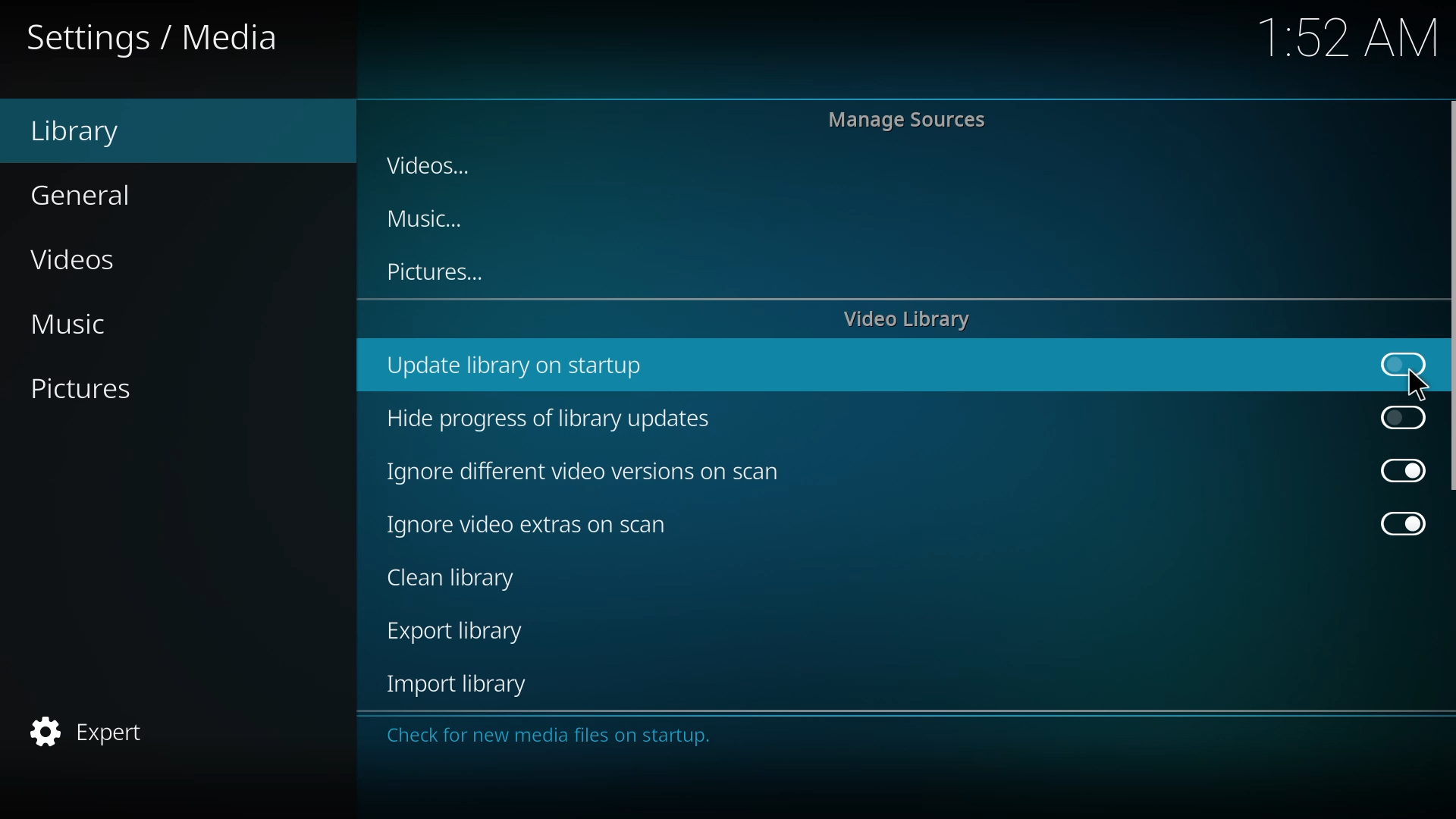 The height and width of the screenshot is (819, 1456). I want to click on videos, so click(435, 167).